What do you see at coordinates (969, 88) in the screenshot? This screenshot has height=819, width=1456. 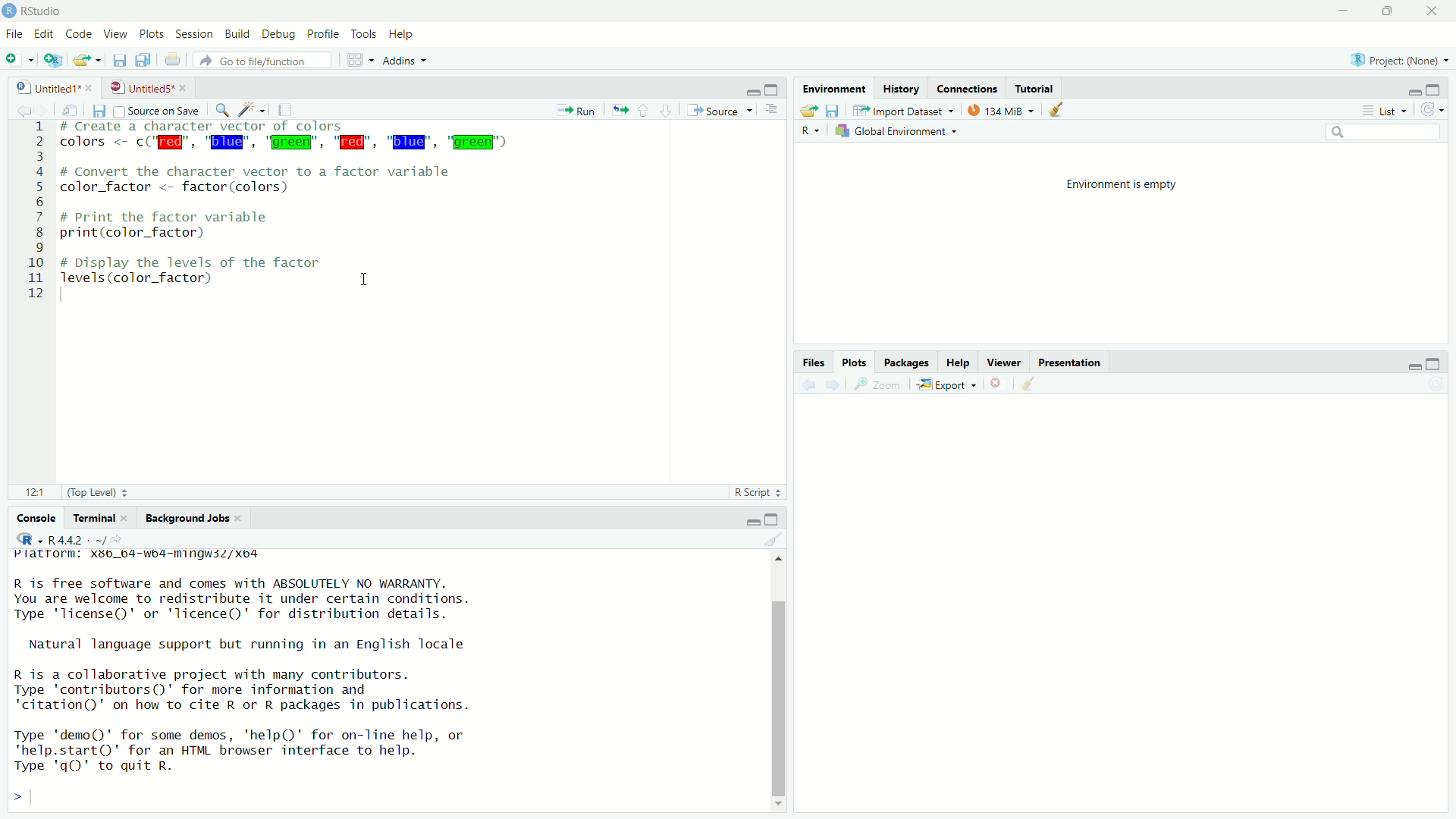 I see `Connections` at bounding box center [969, 88].